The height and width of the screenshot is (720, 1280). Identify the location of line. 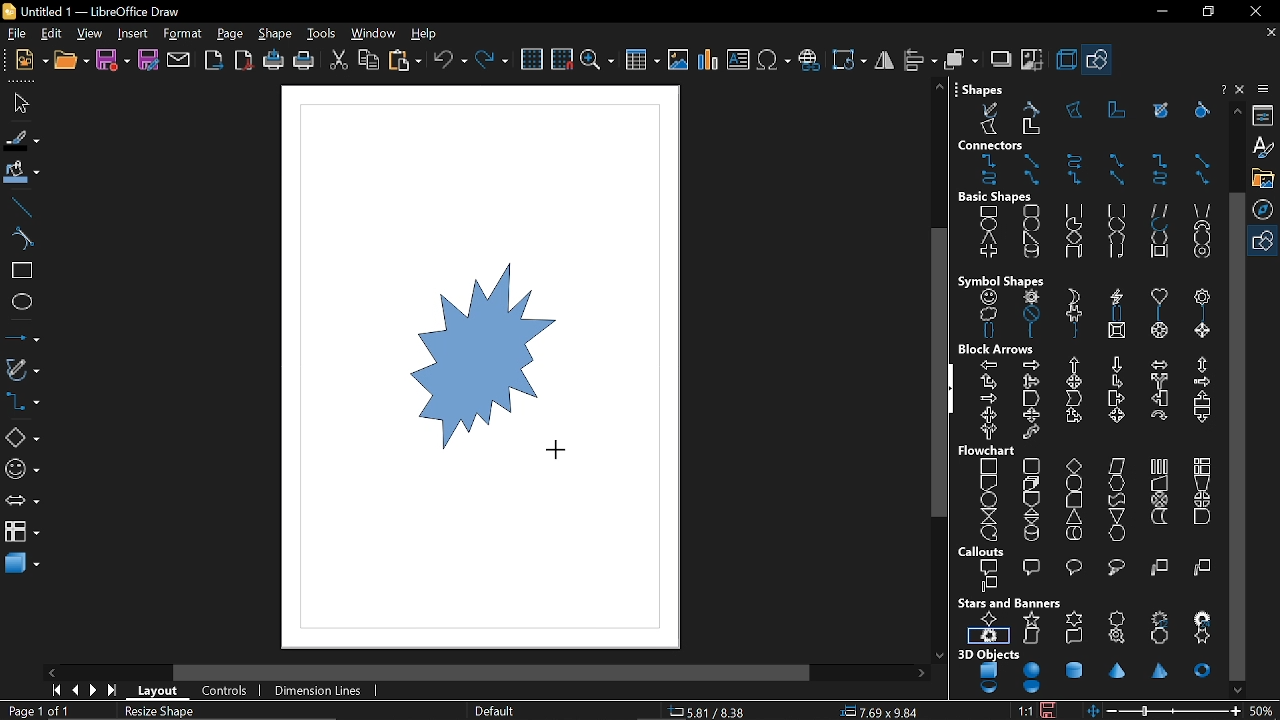
(21, 208).